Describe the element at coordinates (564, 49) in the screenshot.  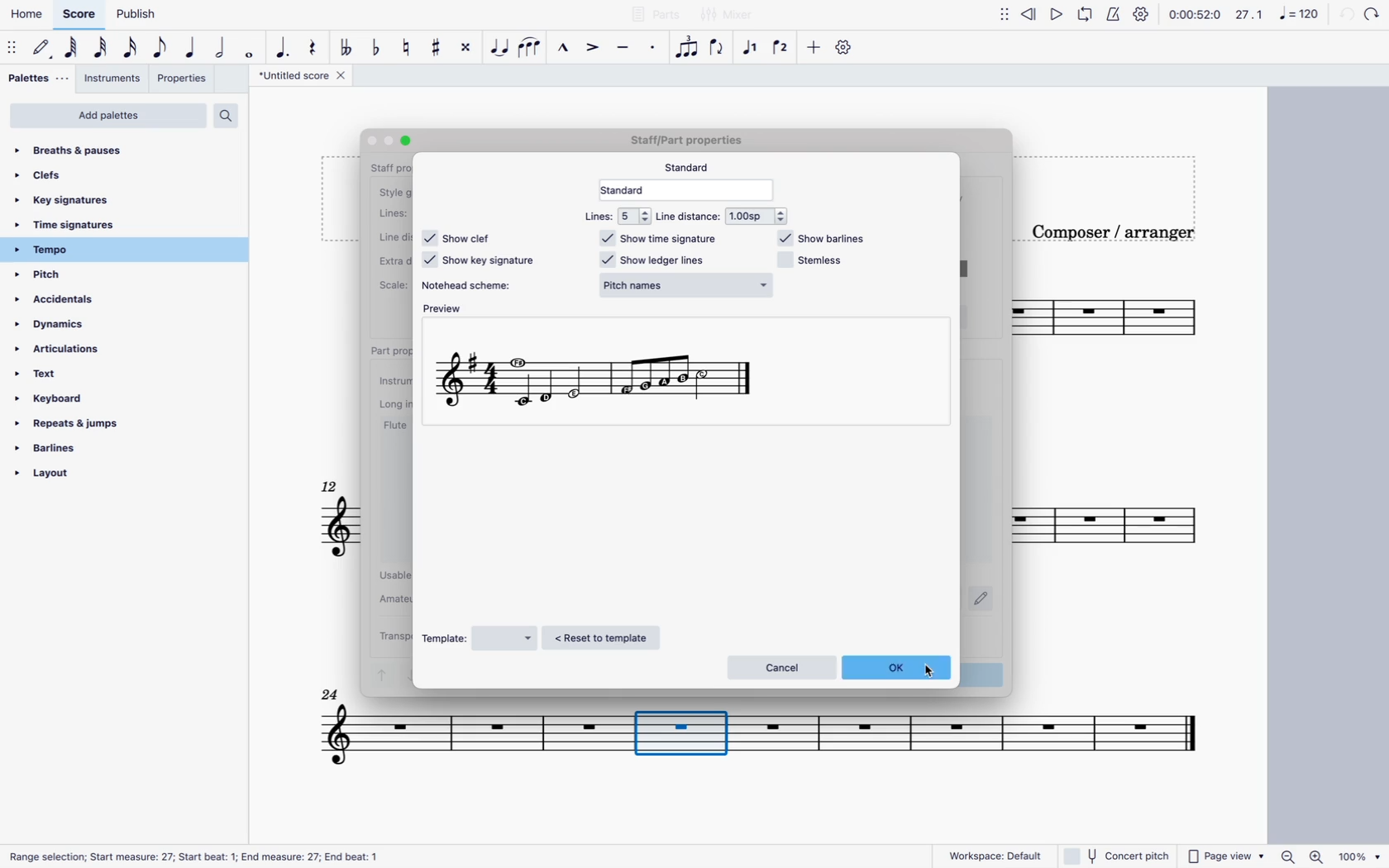
I see `marcato` at that location.